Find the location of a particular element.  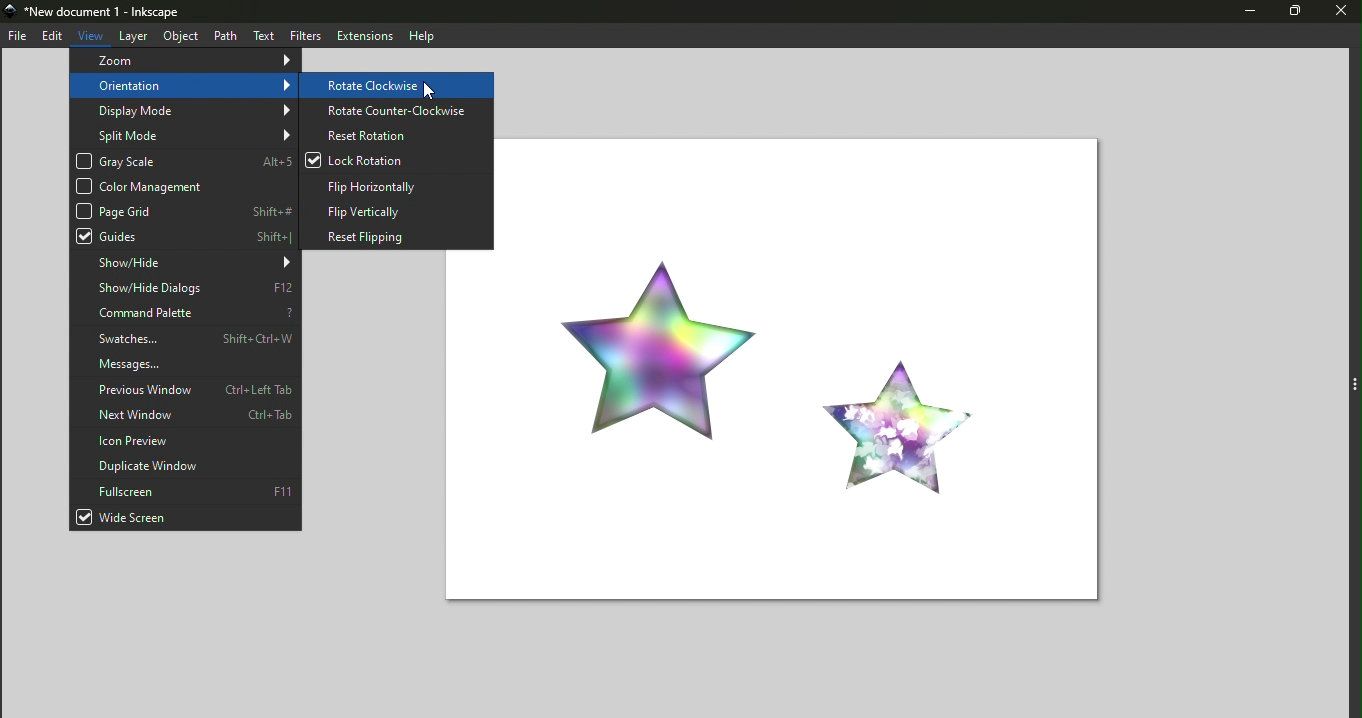

Extensions is located at coordinates (362, 35).